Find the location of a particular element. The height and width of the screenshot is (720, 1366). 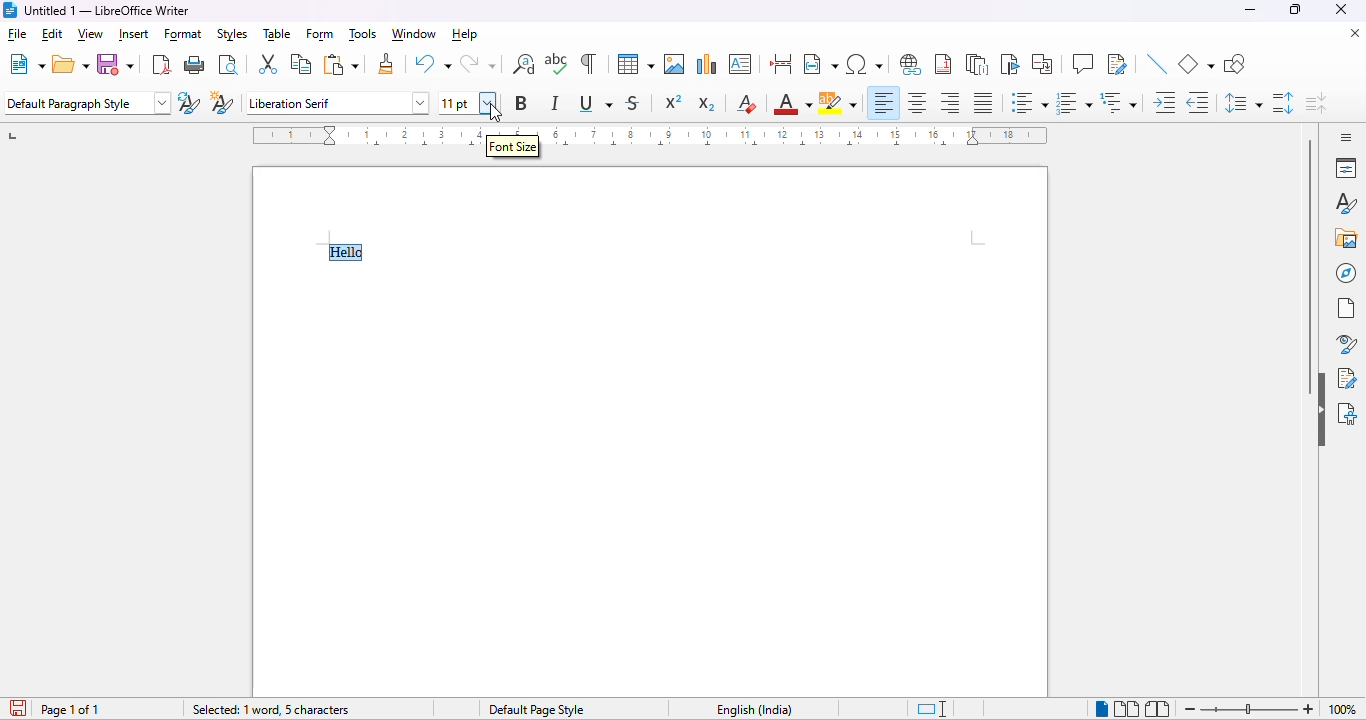

copy is located at coordinates (301, 64).